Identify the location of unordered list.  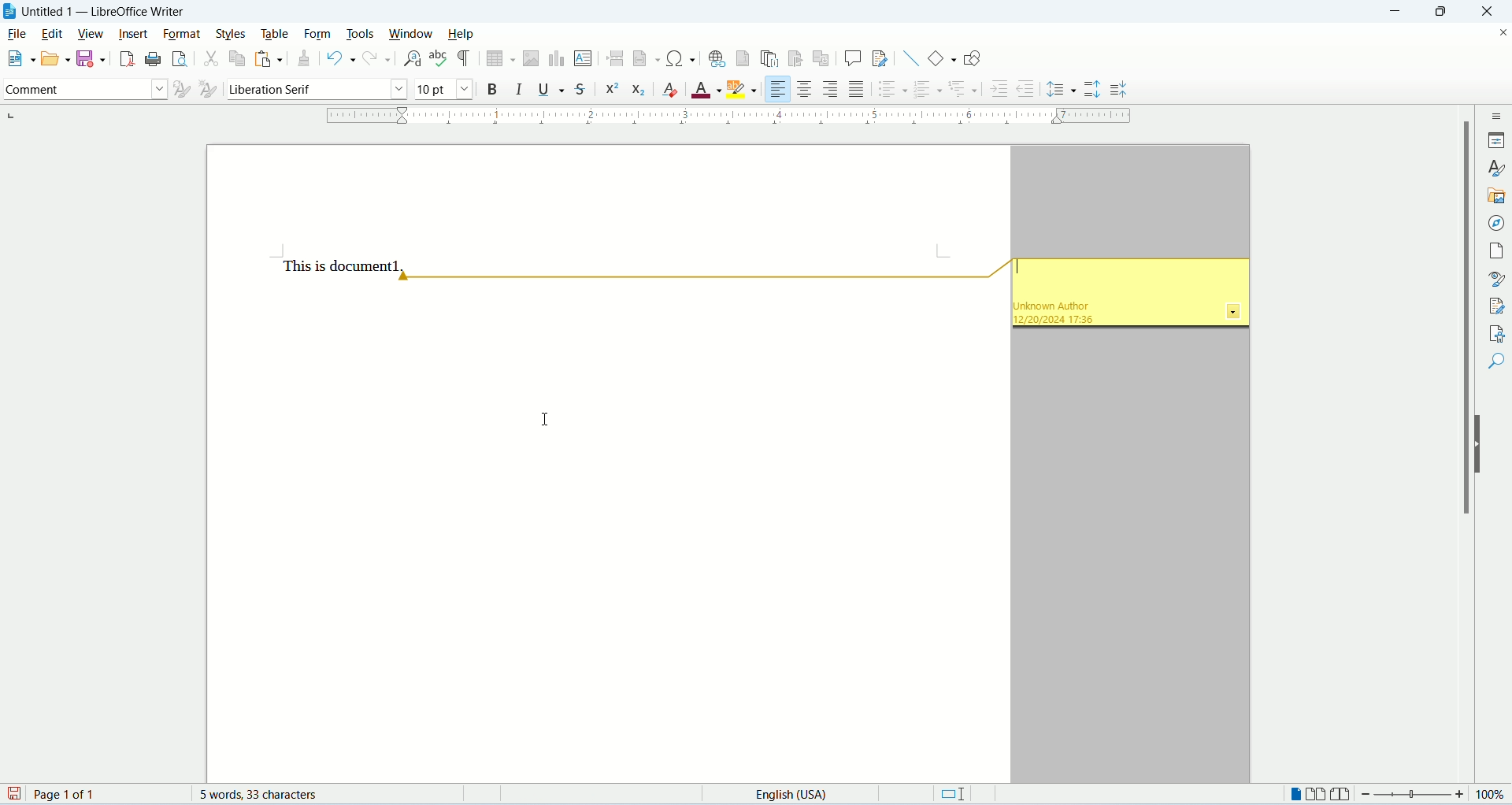
(891, 90).